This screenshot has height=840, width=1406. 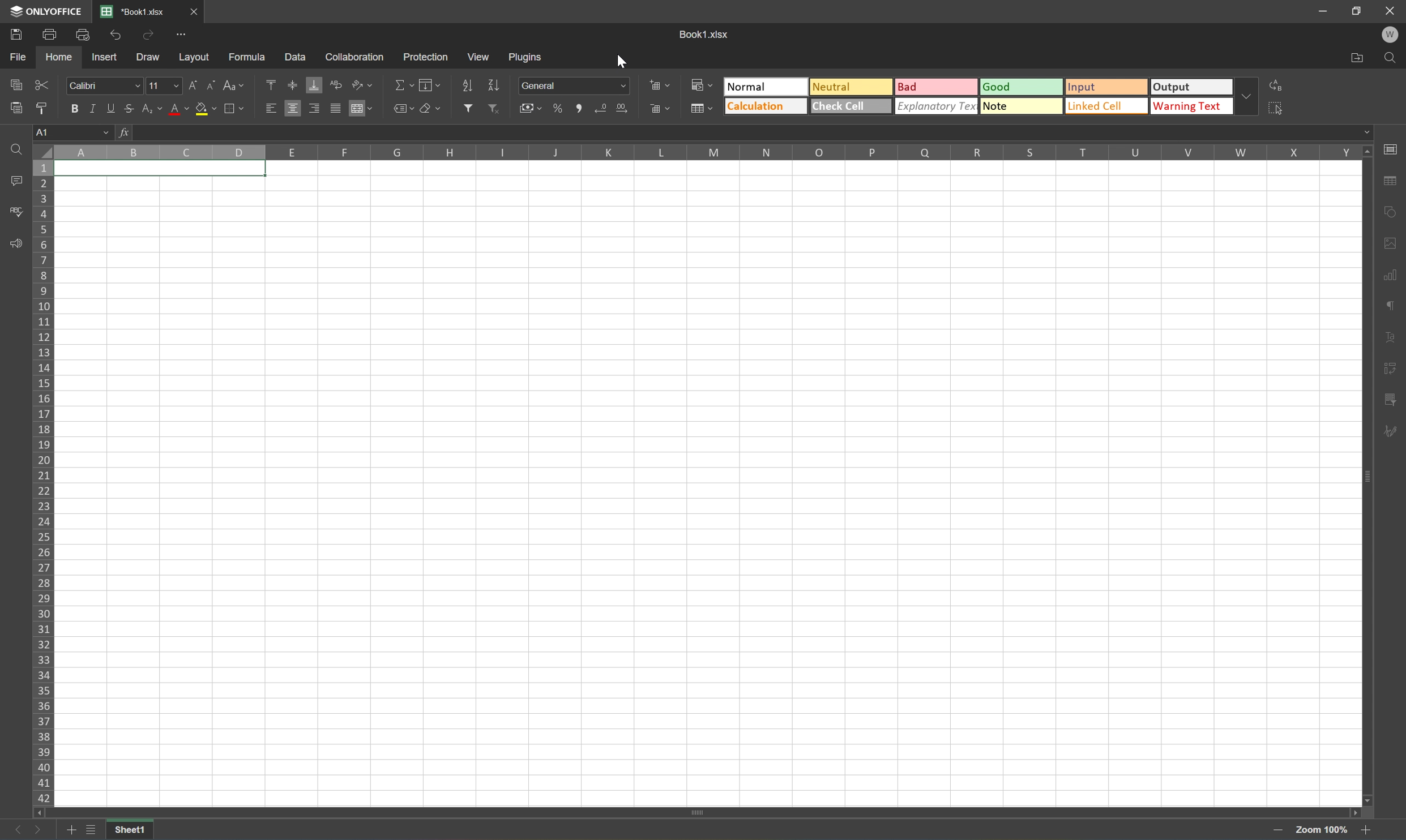 I want to click on Explanatory text, so click(x=937, y=105).